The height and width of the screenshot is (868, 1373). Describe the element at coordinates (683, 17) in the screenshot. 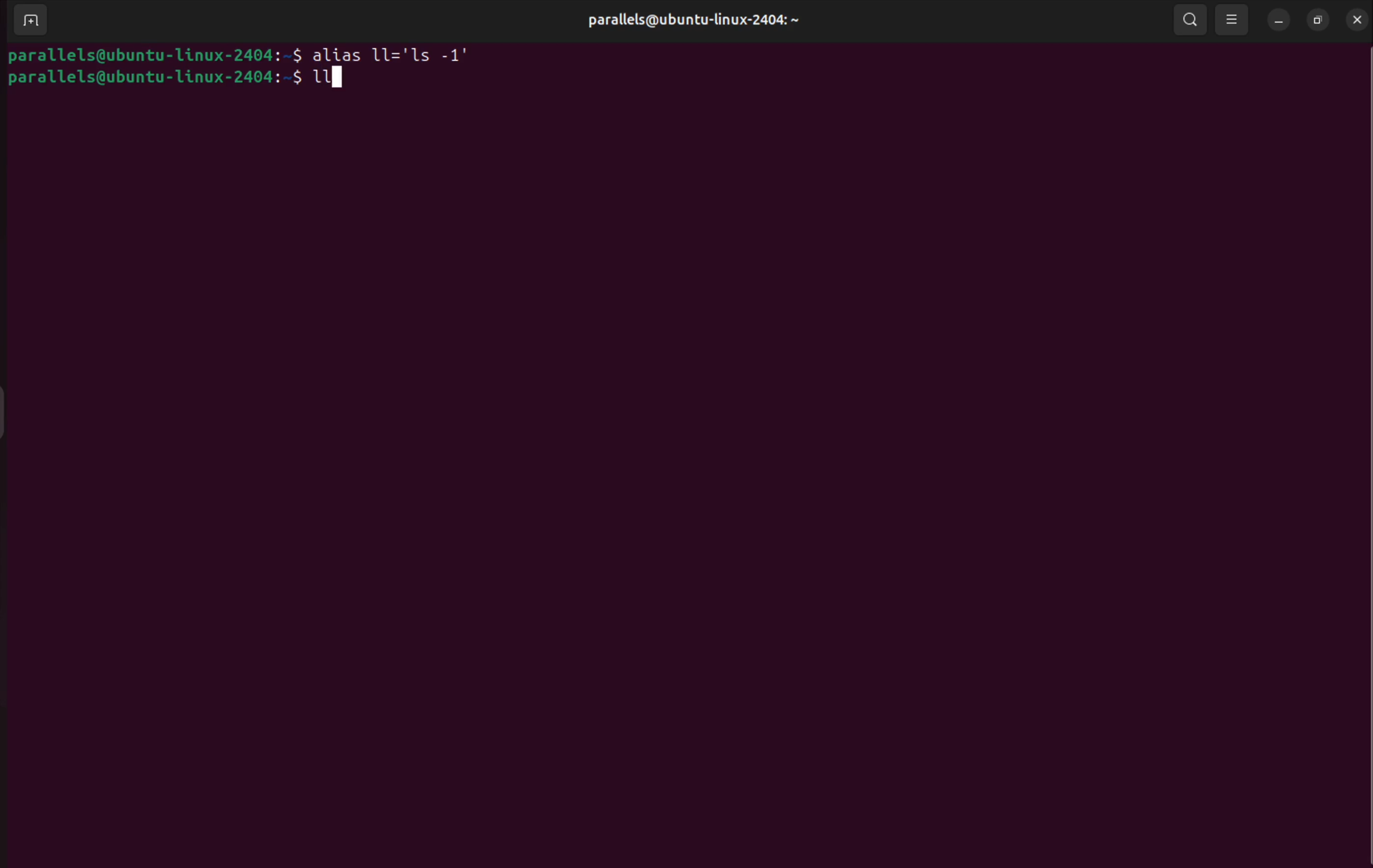

I see `parallels` at that location.